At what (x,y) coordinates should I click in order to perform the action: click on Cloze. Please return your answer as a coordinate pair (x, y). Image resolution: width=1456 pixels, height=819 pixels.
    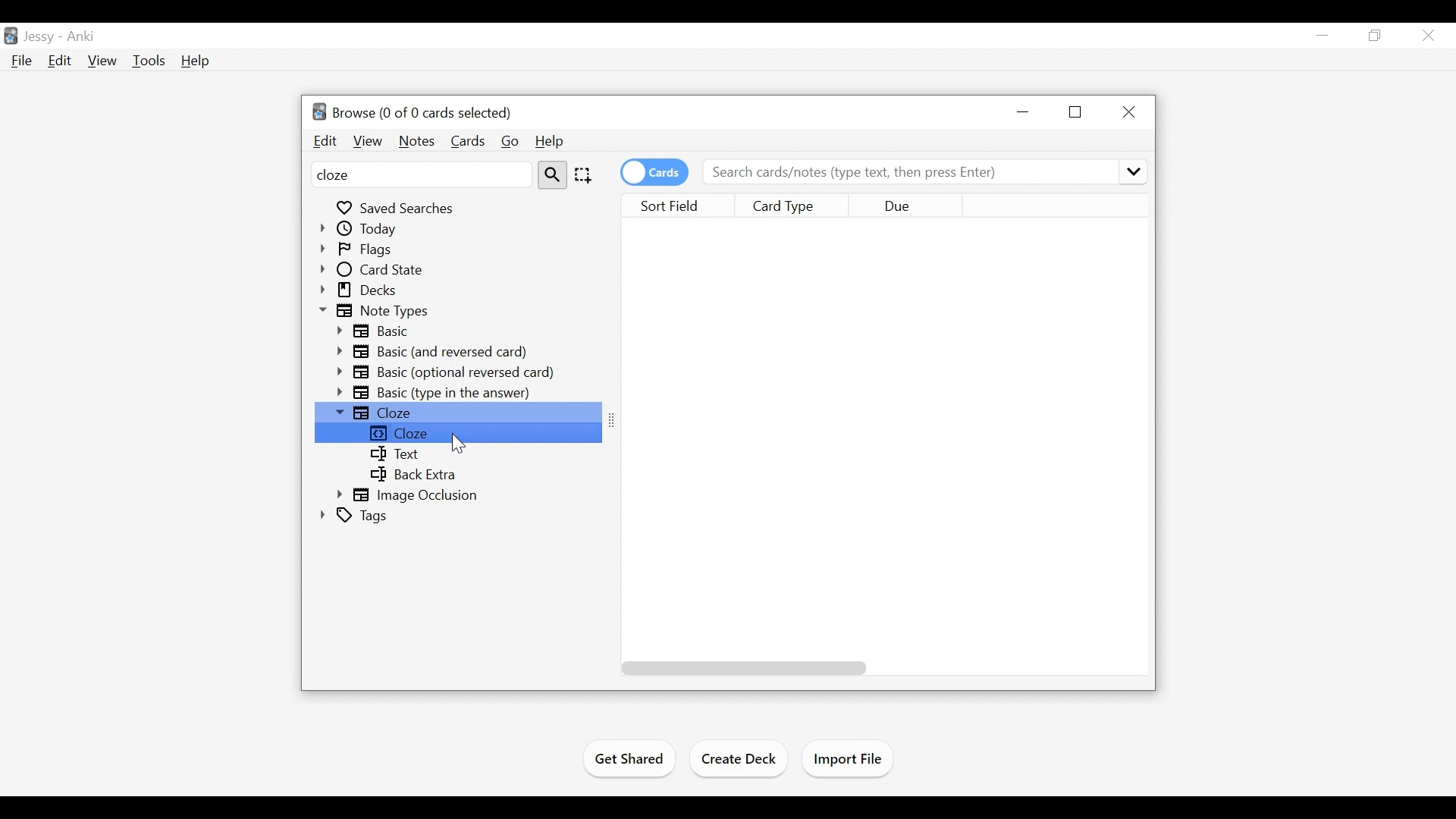
    Looking at the image, I should click on (458, 412).